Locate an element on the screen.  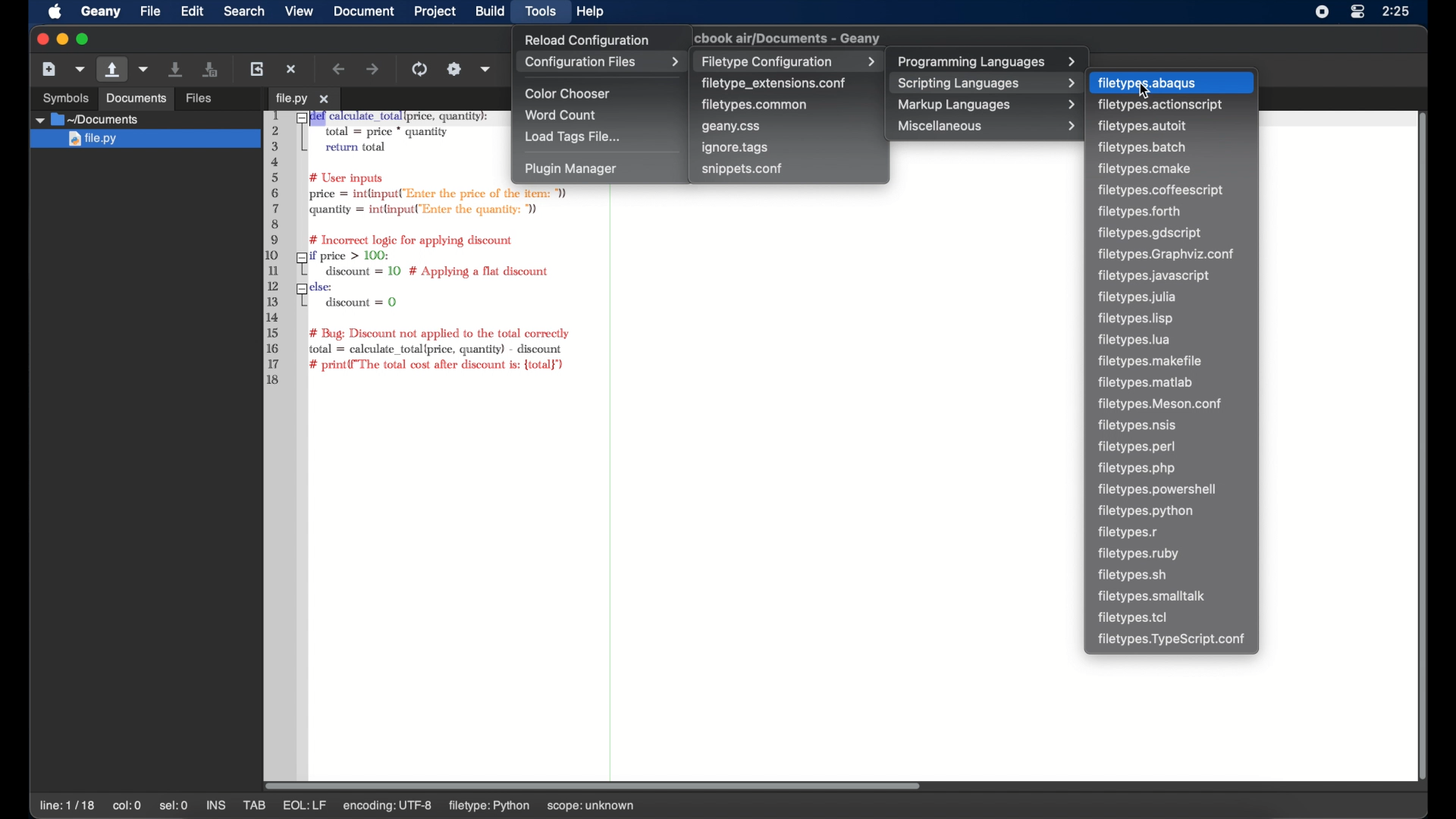
color chooser  is located at coordinates (570, 94).